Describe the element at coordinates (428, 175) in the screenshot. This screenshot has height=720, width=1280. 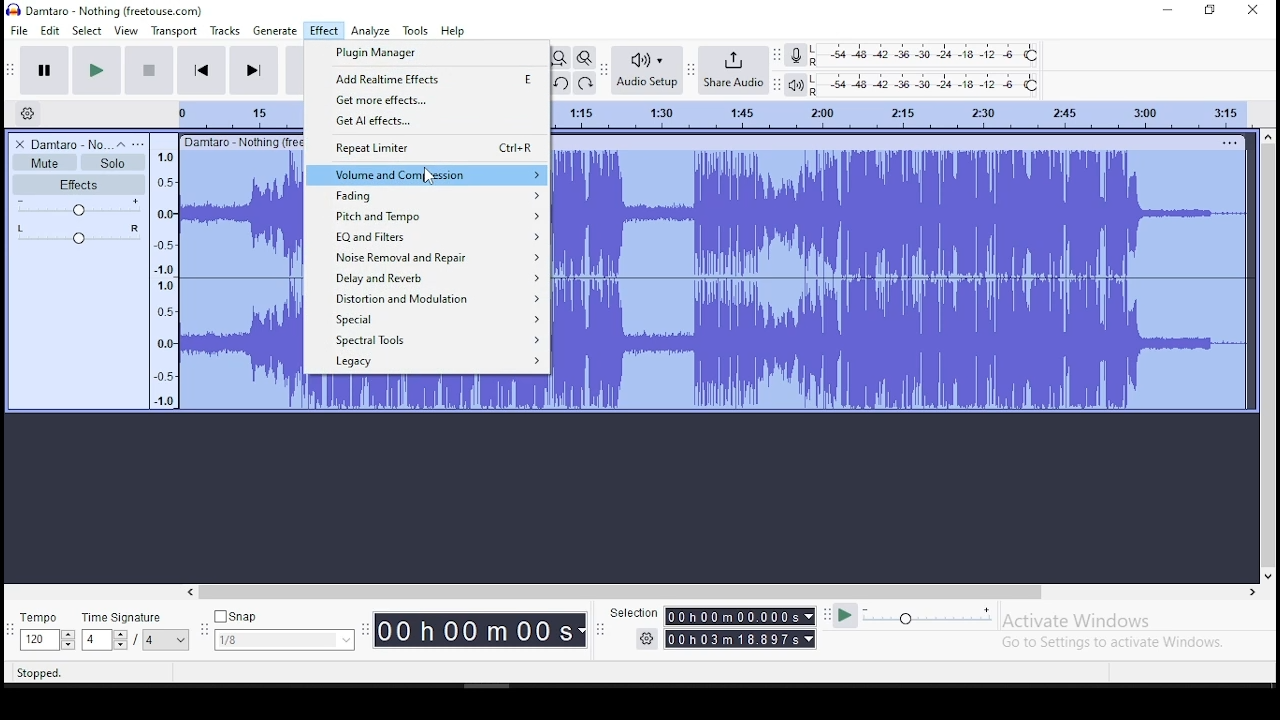
I see `volume and compression` at that location.